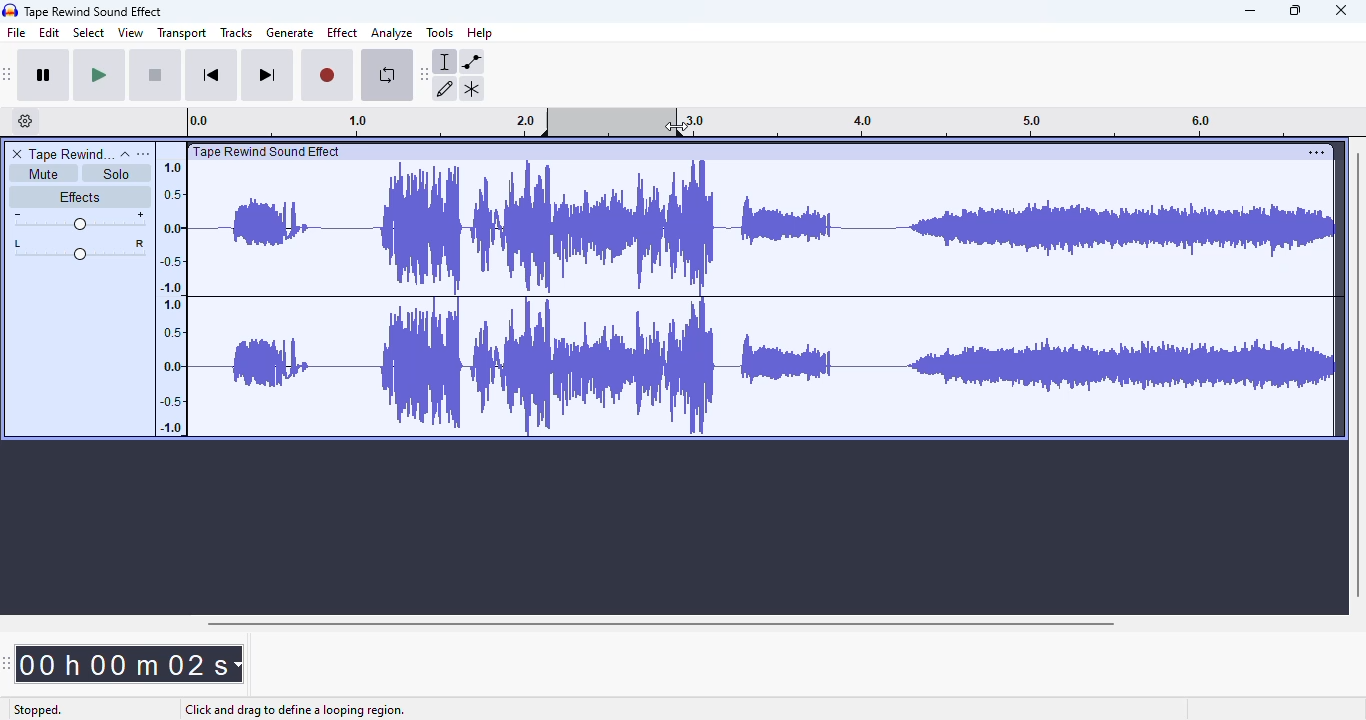  I want to click on effects, so click(79, 199).